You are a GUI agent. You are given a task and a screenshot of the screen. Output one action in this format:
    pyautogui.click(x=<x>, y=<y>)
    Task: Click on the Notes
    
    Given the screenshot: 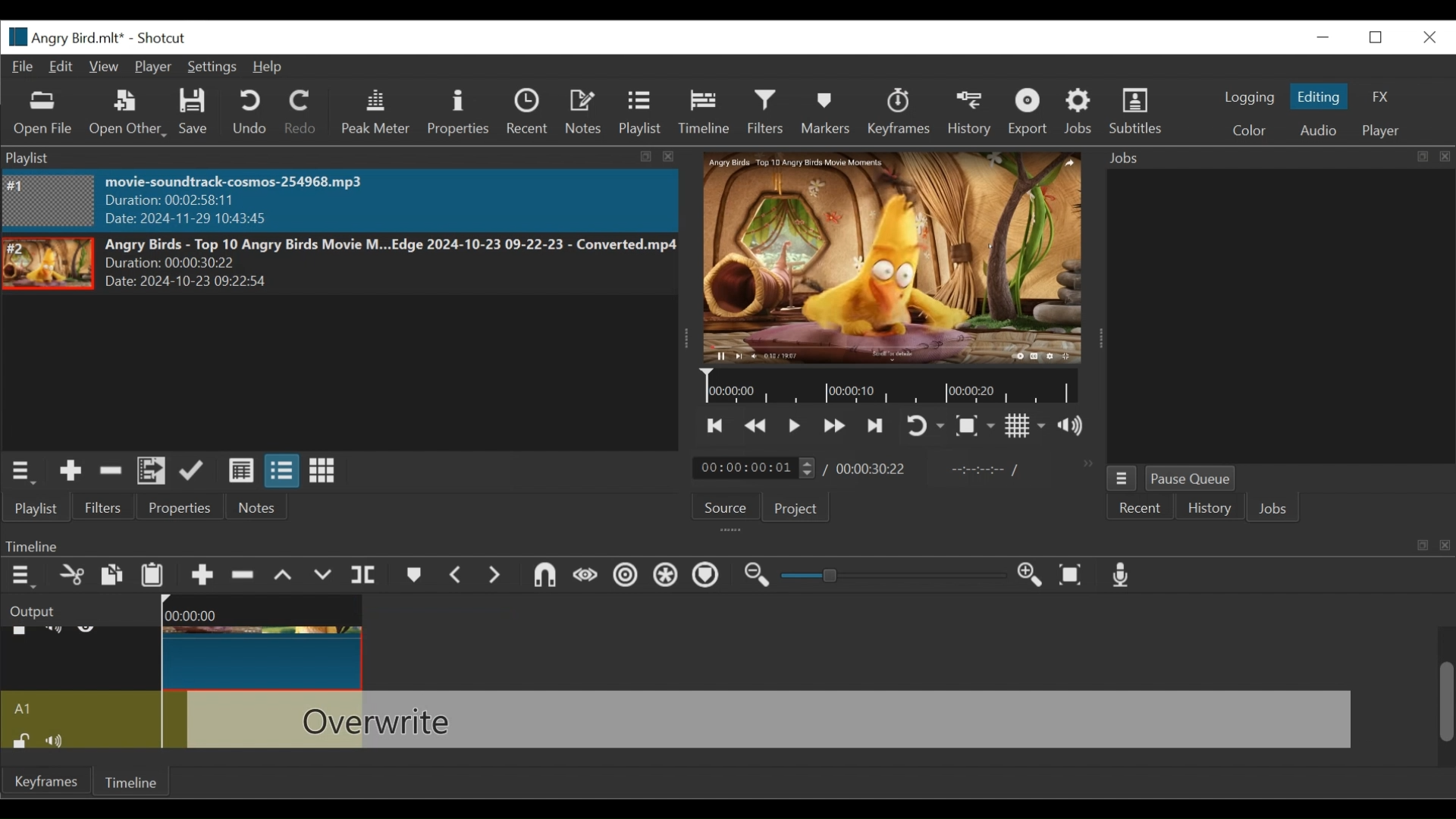 What is the action you would take?
    pyautogui.click(x=582, y=111)
    